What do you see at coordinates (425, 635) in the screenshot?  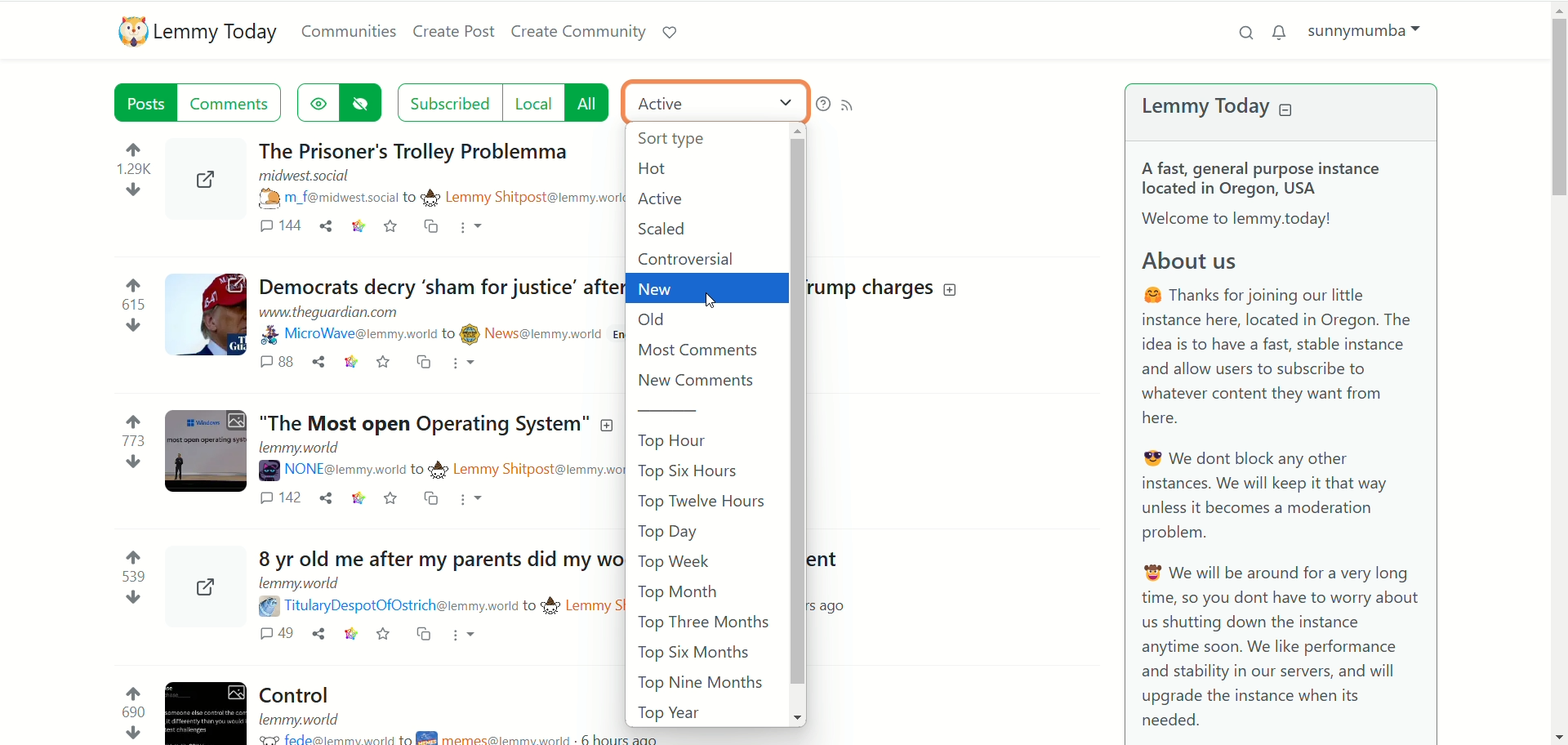 I see `cross post` at bounding box center [425, 635].